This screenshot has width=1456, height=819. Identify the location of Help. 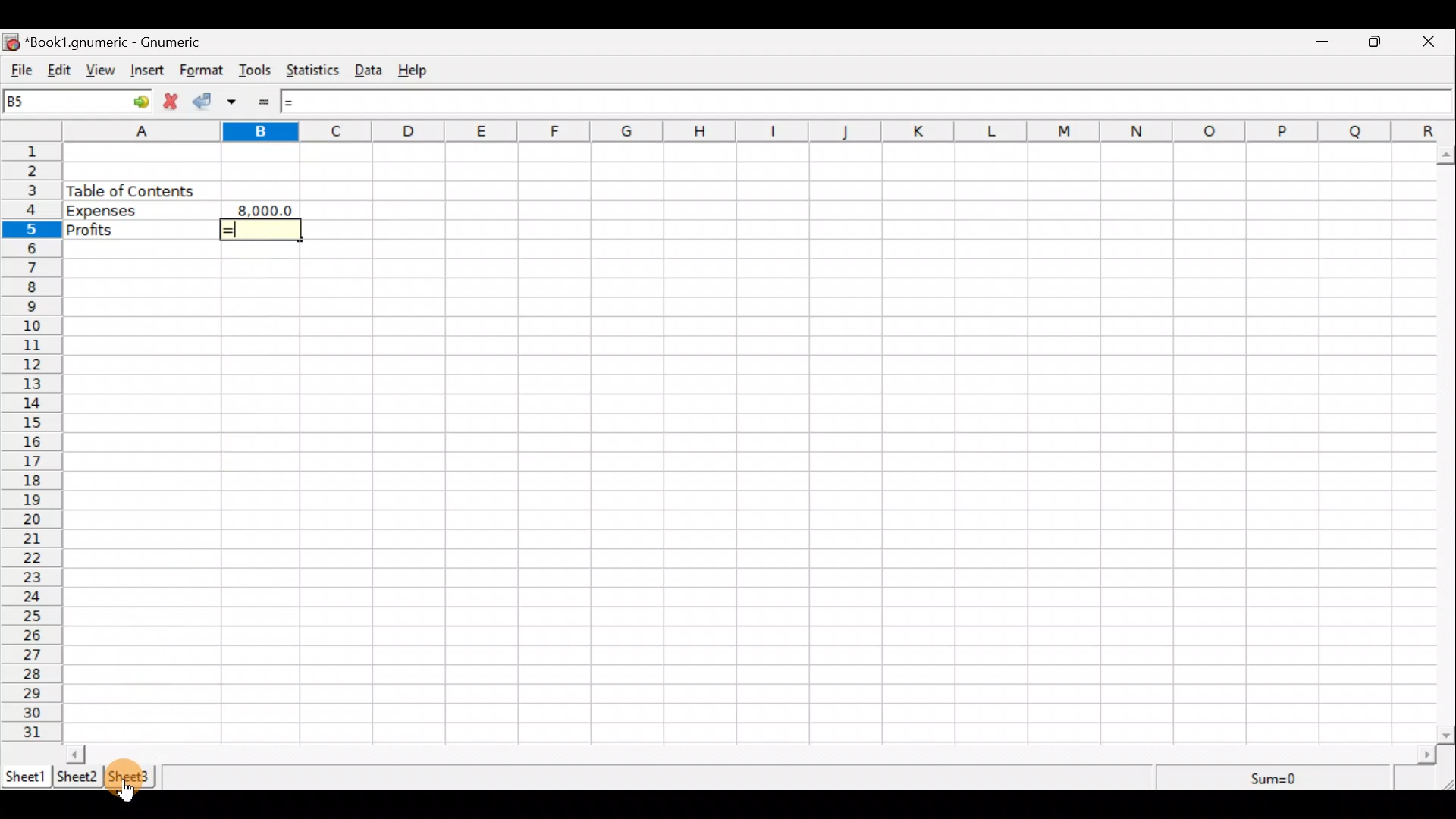
(420, 71).